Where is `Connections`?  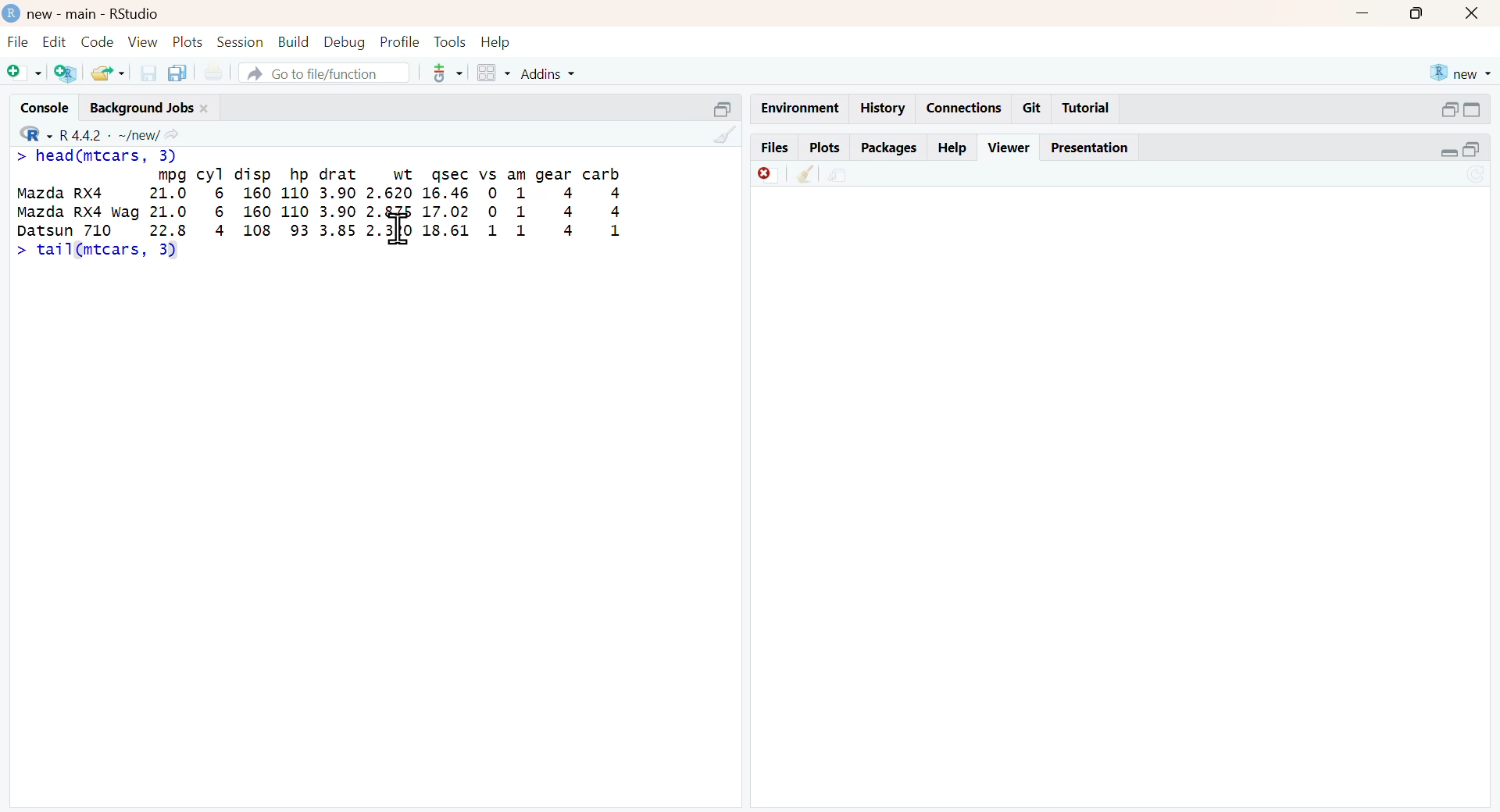 Connections is located at coordinates (962, 106).